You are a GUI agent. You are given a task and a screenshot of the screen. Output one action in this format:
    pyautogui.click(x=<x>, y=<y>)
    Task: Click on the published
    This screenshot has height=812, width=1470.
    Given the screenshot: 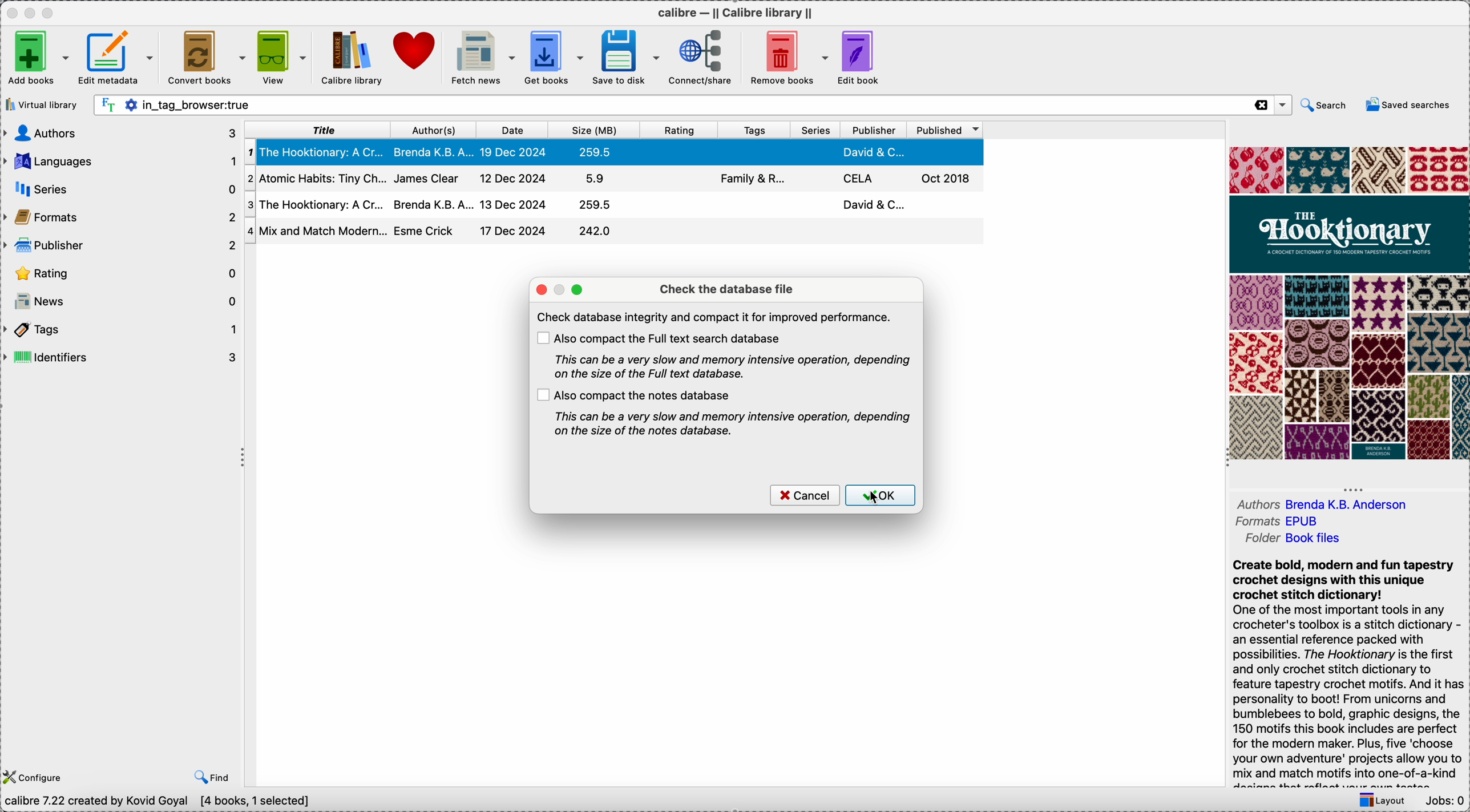 What is the action you would take?
    pyautogui.click(x=946, y=131)
    